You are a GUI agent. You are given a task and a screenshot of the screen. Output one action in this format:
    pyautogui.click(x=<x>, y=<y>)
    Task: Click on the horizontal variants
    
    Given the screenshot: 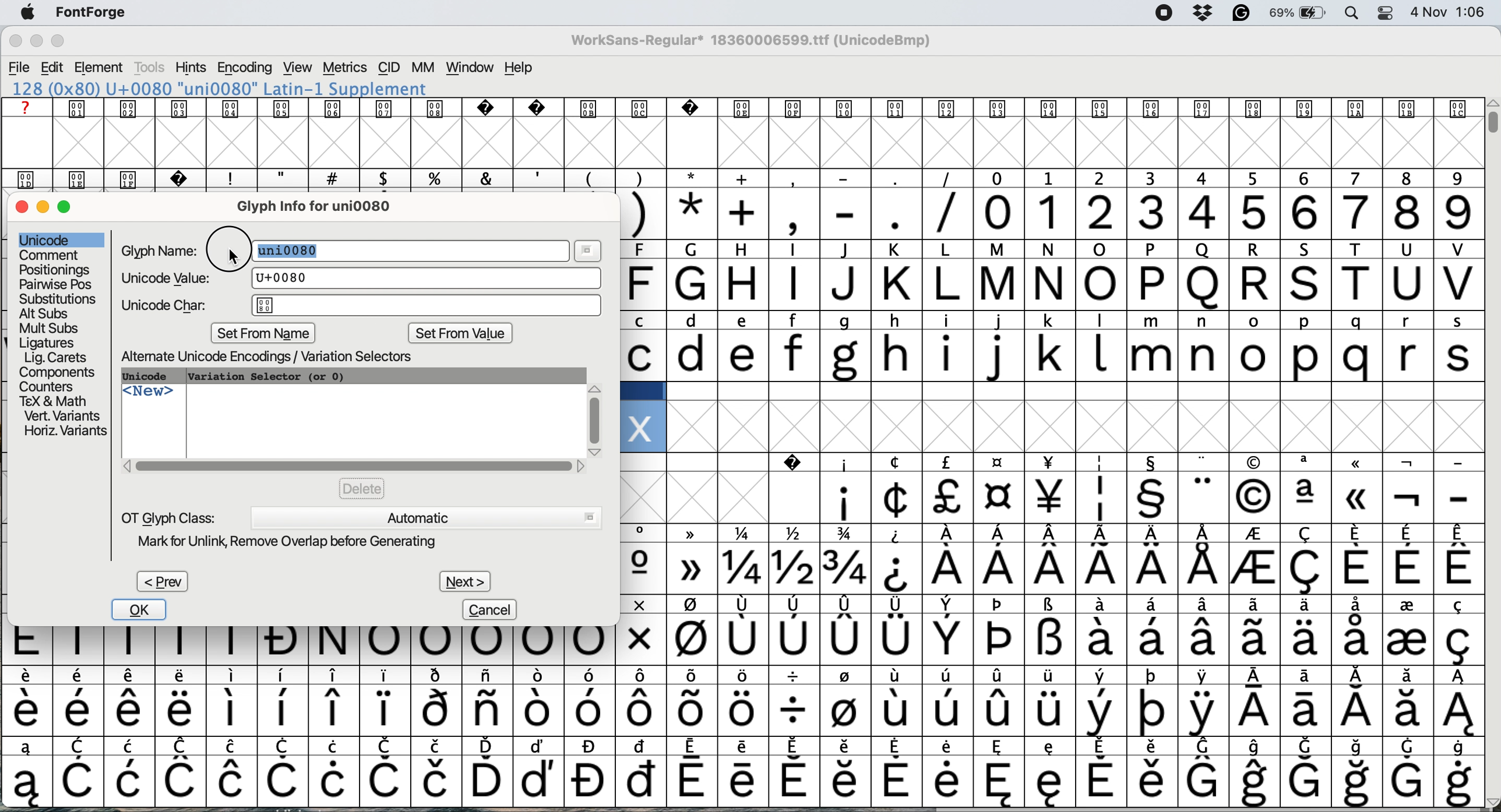 What is the action you would take?
    pyautogui.click(x=64, y=432)
    